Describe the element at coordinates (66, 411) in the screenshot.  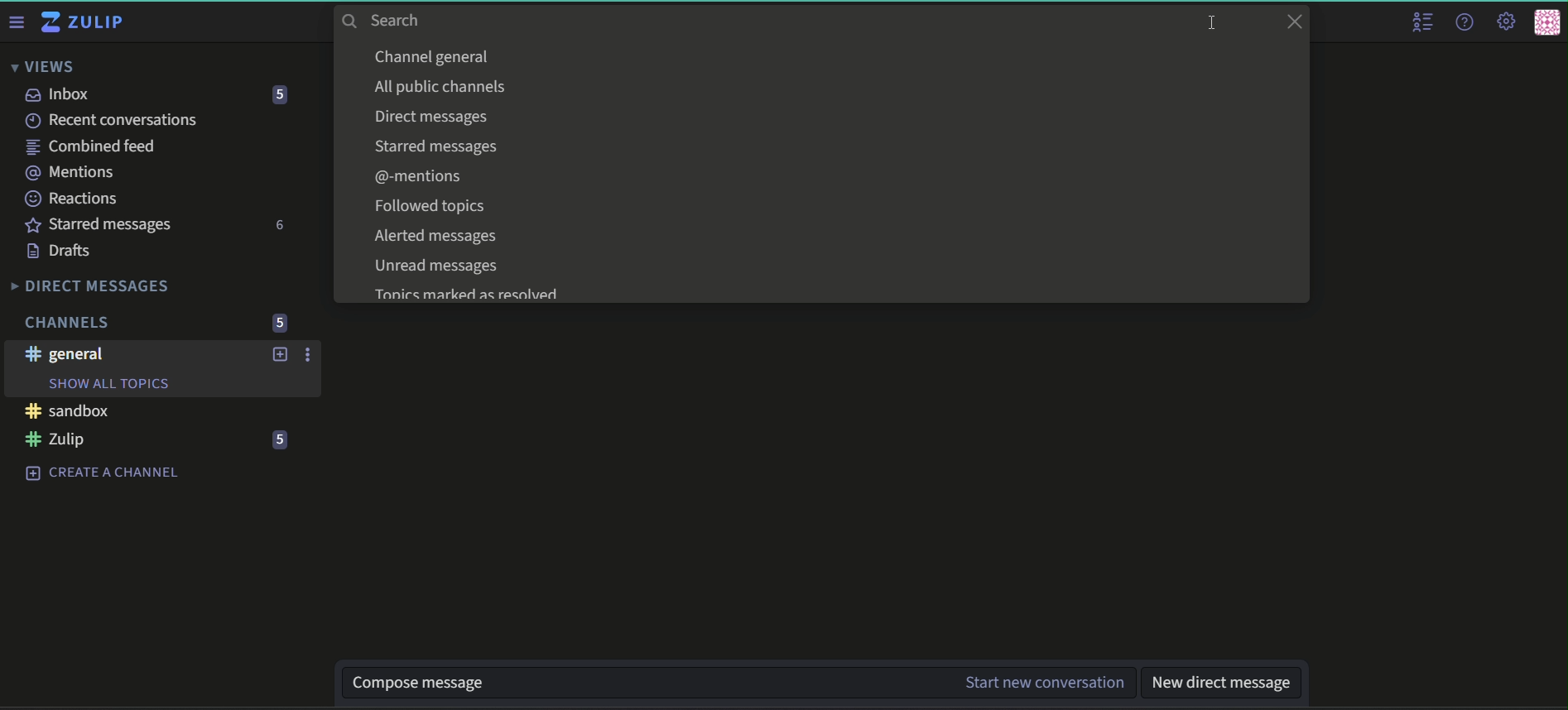
I see `#sandbox` at that location.